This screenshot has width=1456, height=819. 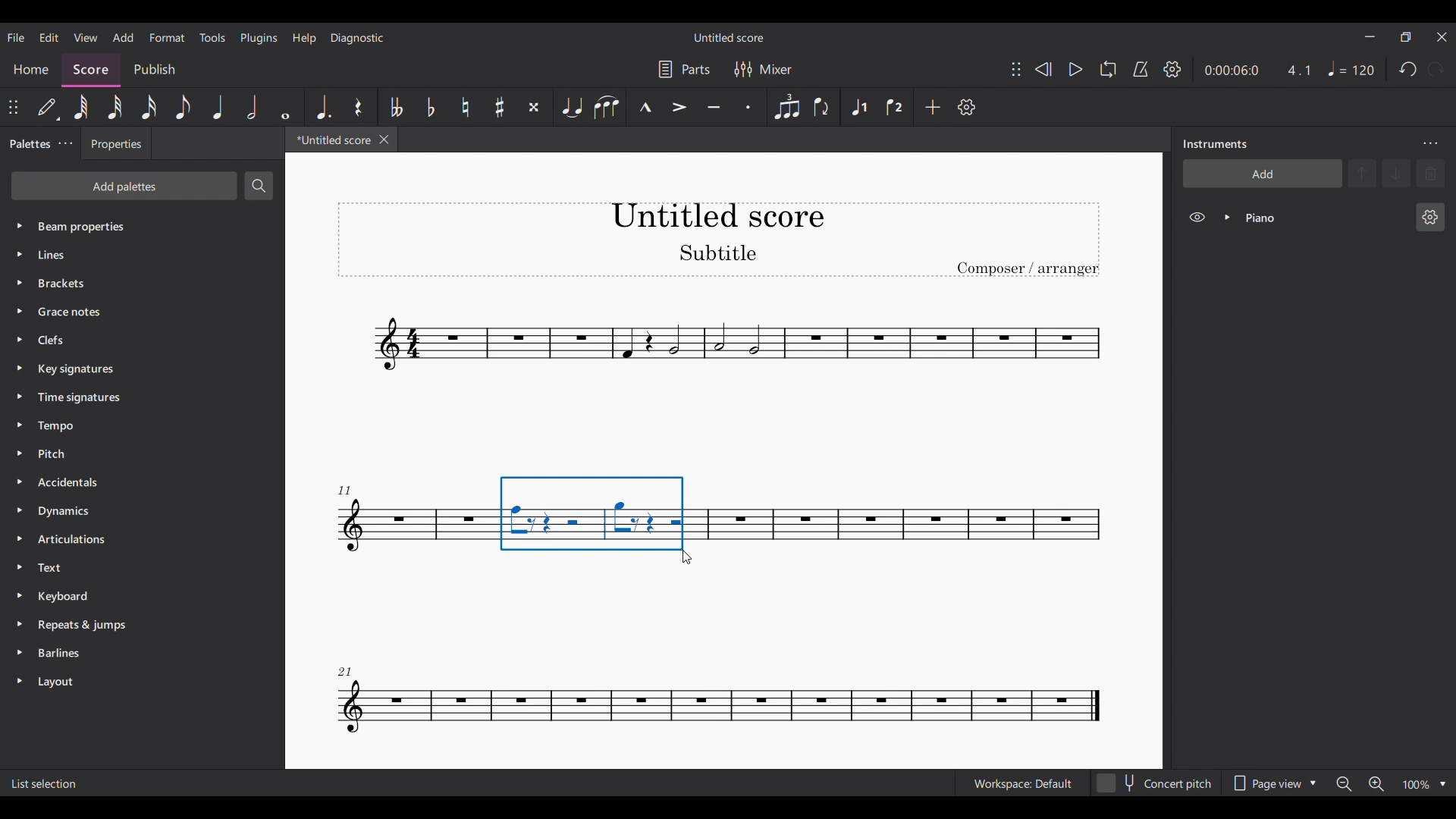 What do you see at coordinates (141, 309) in the screenshot?
I see `Grace notes` at bounding box center [141, 309].